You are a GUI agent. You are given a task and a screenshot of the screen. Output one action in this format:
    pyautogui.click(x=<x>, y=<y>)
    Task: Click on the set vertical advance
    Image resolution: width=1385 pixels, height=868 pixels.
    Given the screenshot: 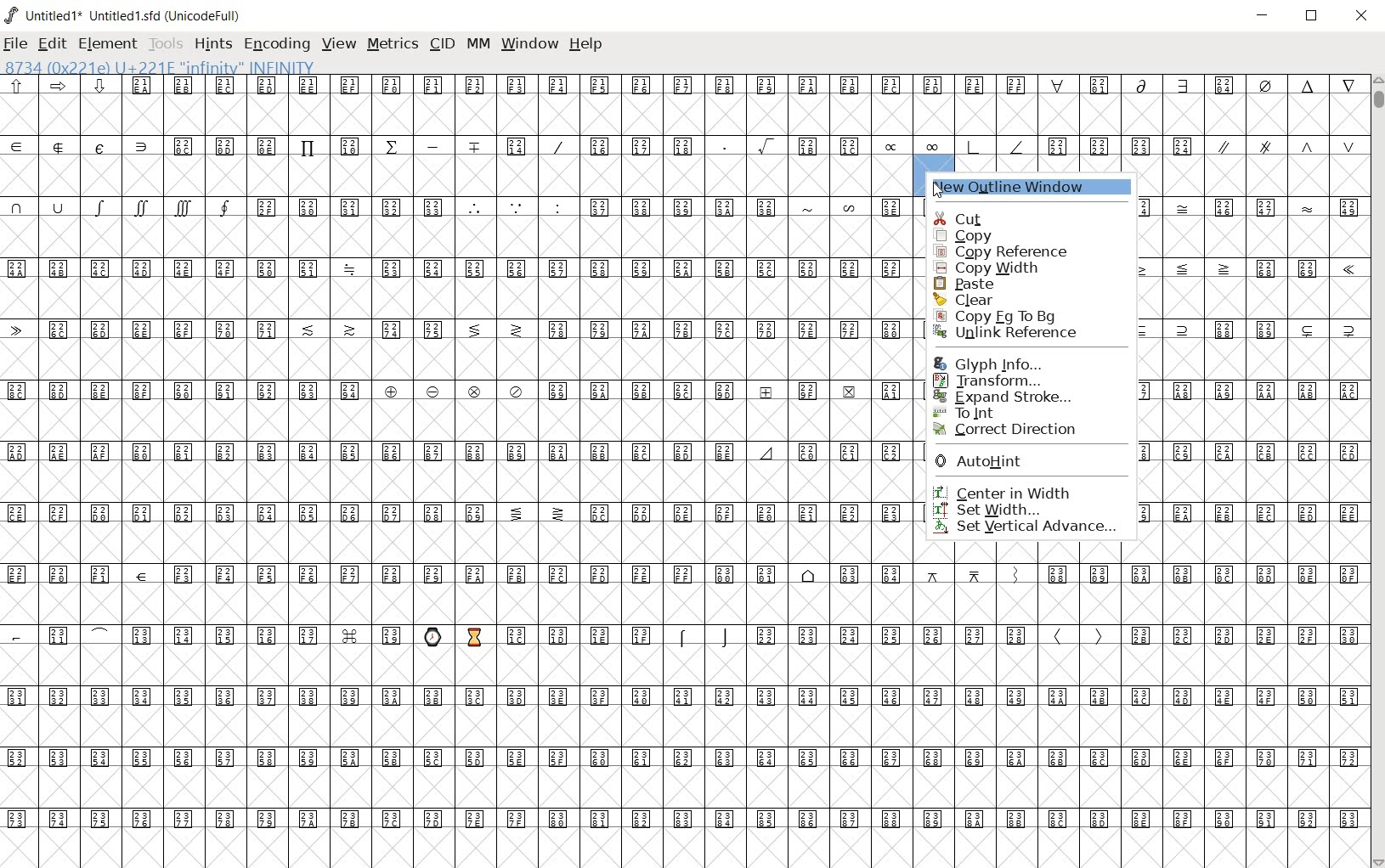 What is the action you would take?
    pyautogui.click(x=1032, y=528)
    